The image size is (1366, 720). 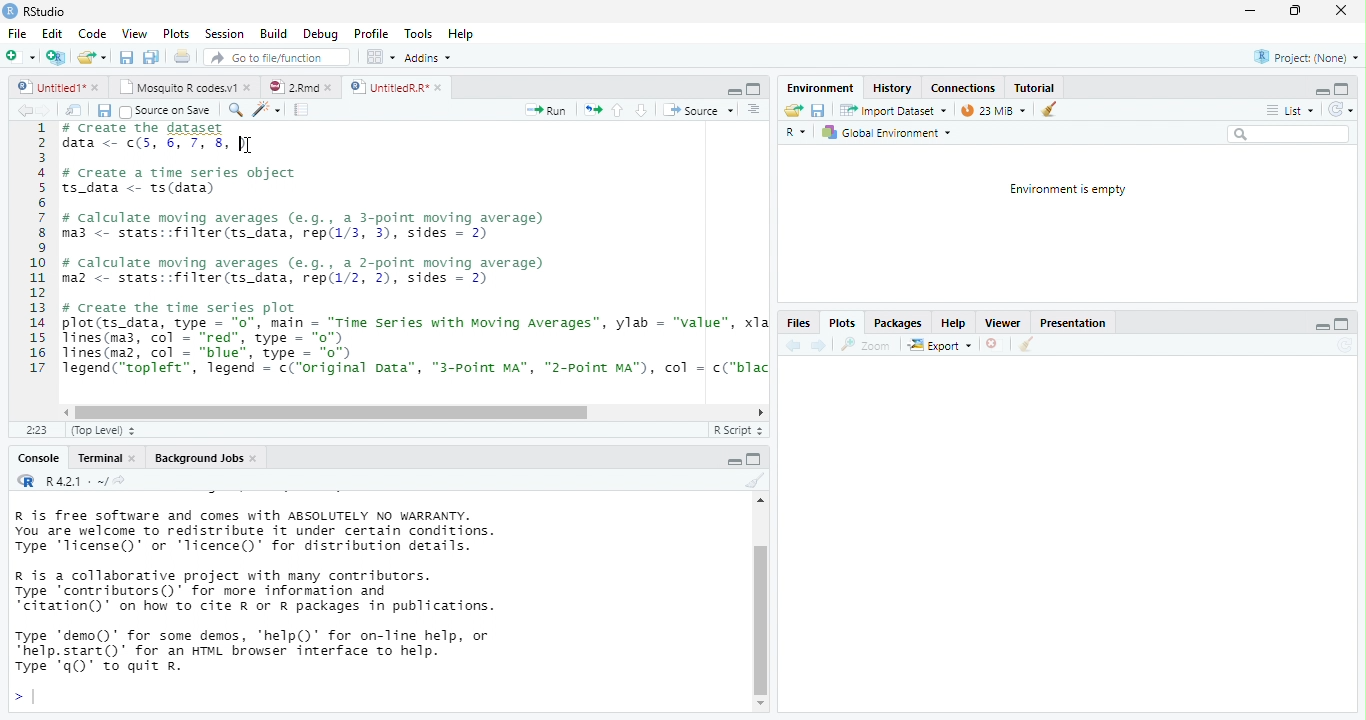 What do you see at coordinates (250, 86) in the screenshot?
I see `close` at bounding box center [250, 86].